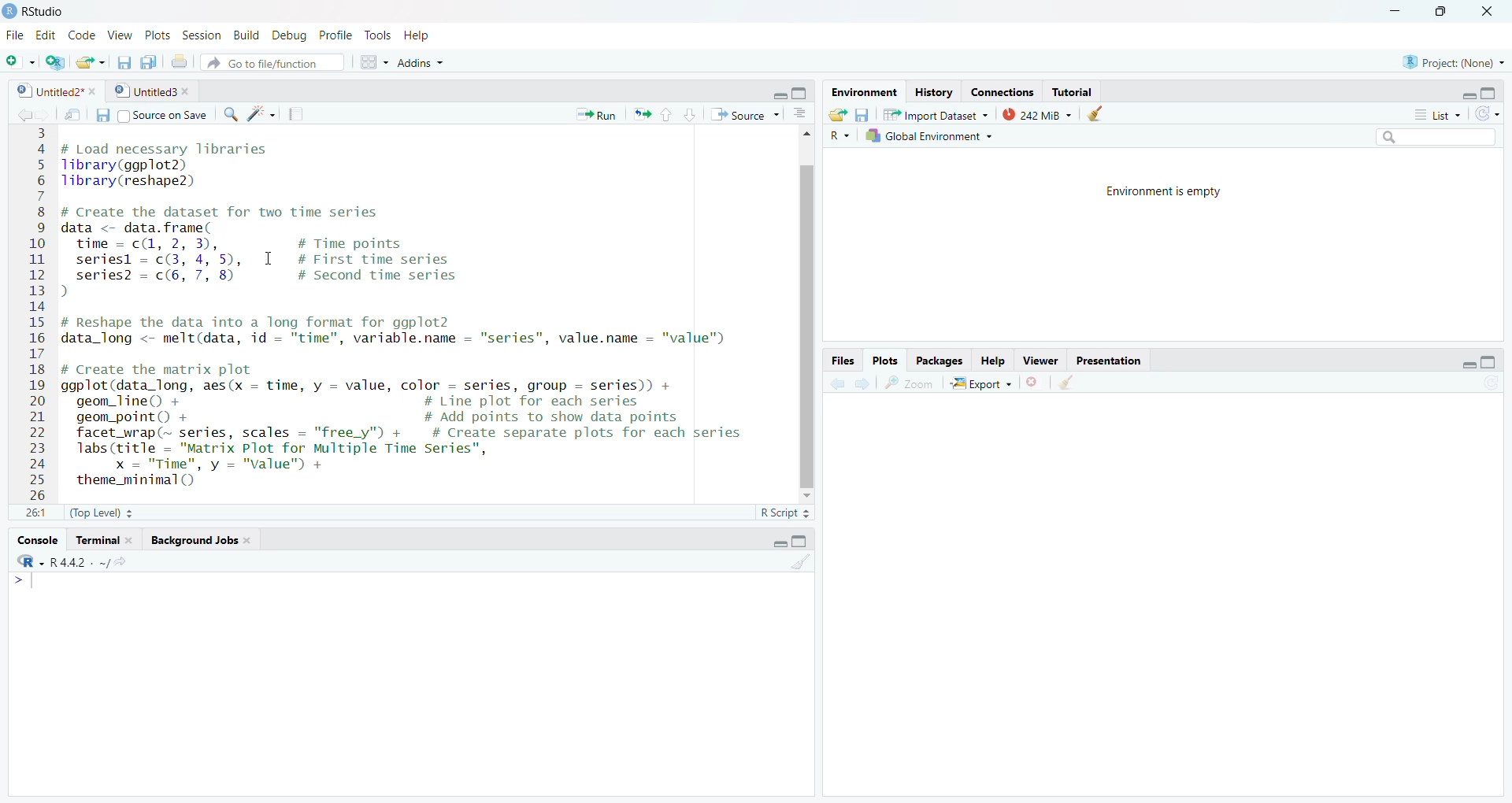  What do you see at coordinates (378, 35) in the screenshot?
I see `Tools` at bounding box center [378, 35].